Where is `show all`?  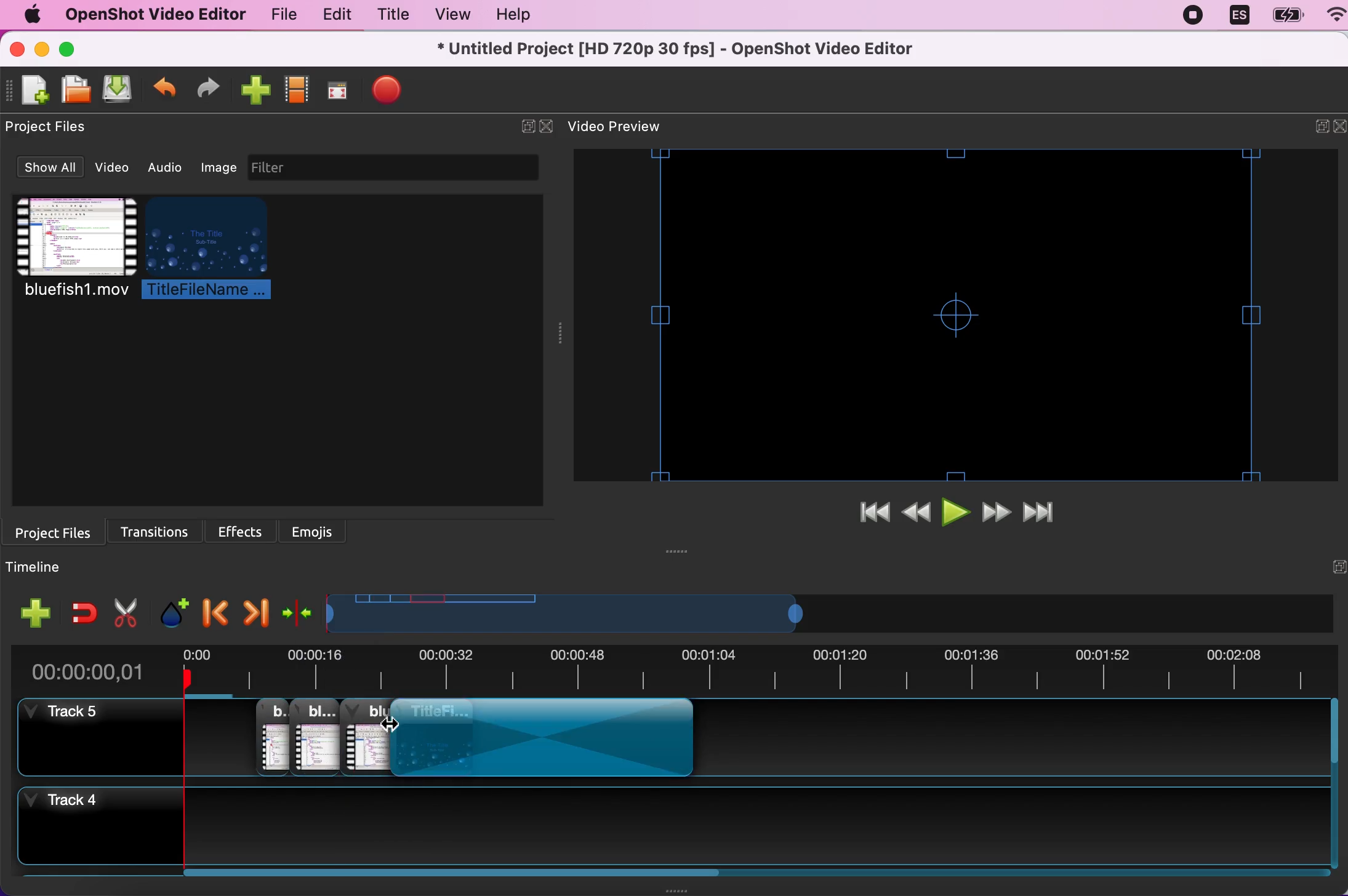
show all is located at coordinates (48, 169).